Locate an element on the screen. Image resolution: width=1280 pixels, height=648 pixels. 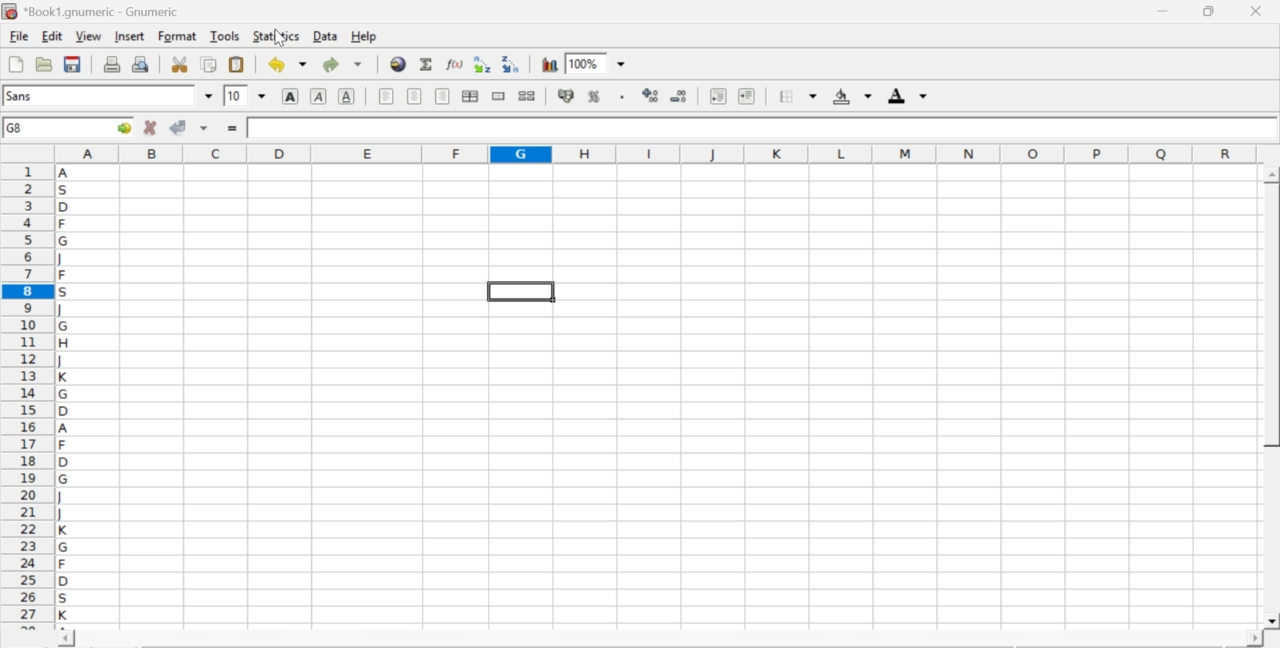
G8 is located at coordinates (17, 128).